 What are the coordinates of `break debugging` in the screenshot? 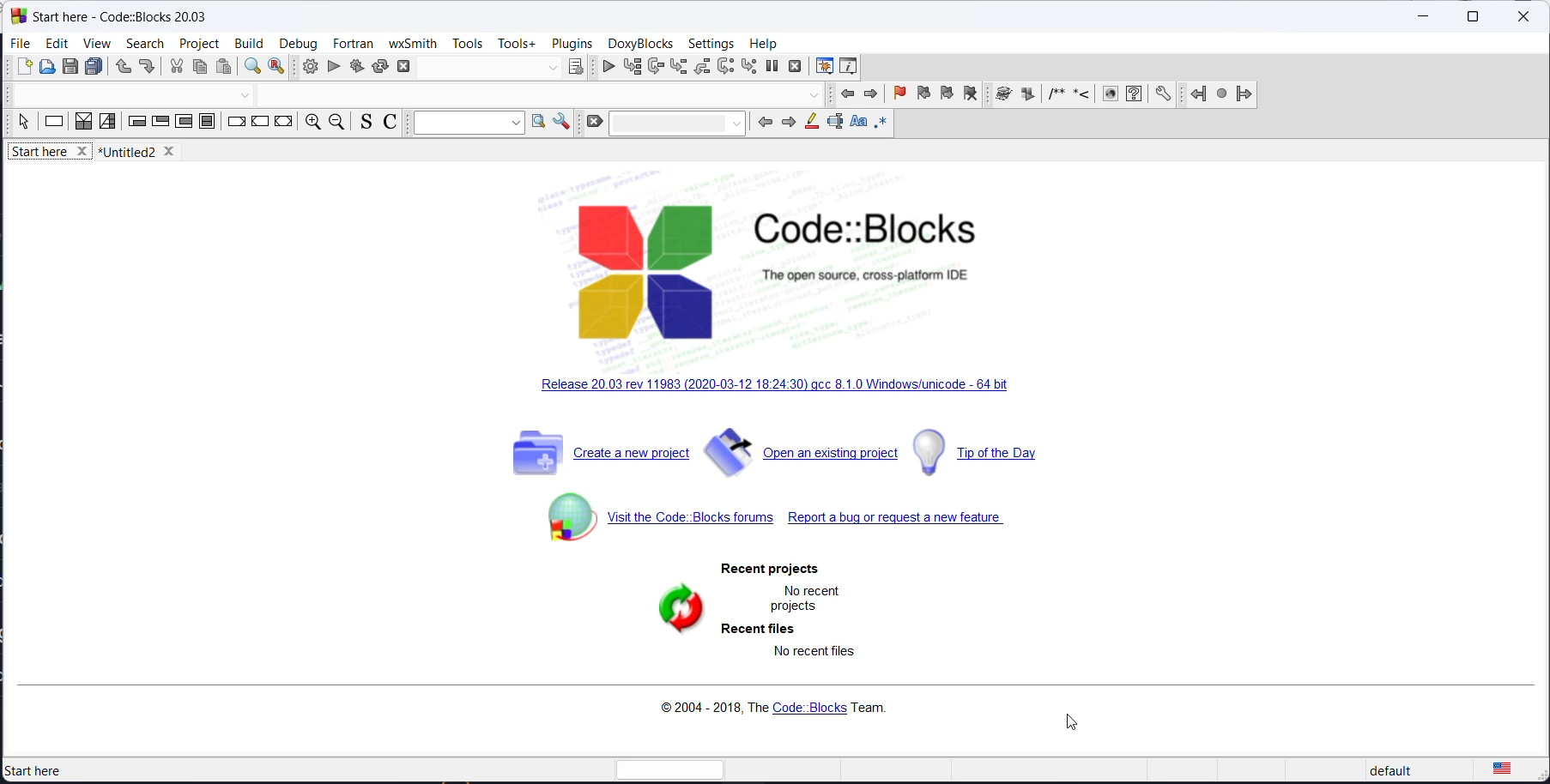 It's located at (772, 66).